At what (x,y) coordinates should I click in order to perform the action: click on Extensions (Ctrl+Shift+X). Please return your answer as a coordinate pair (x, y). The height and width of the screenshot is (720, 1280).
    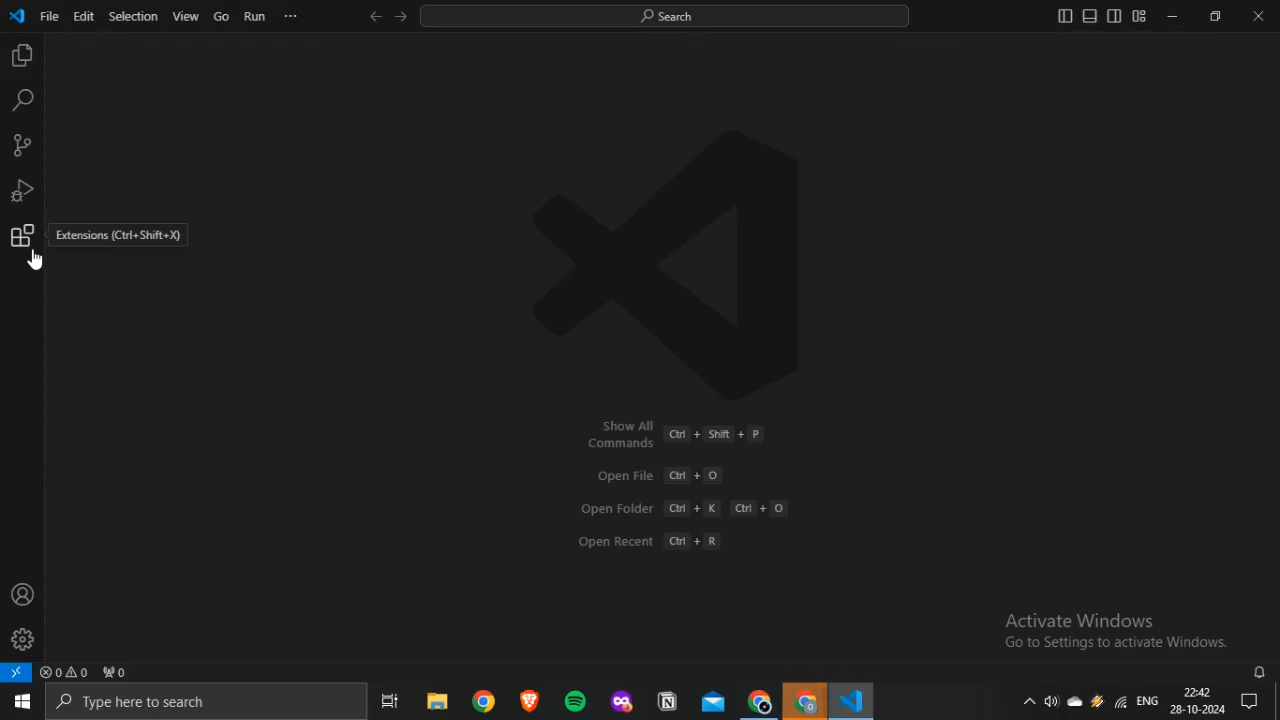
    Looking at the image, I should click on (120, 236).